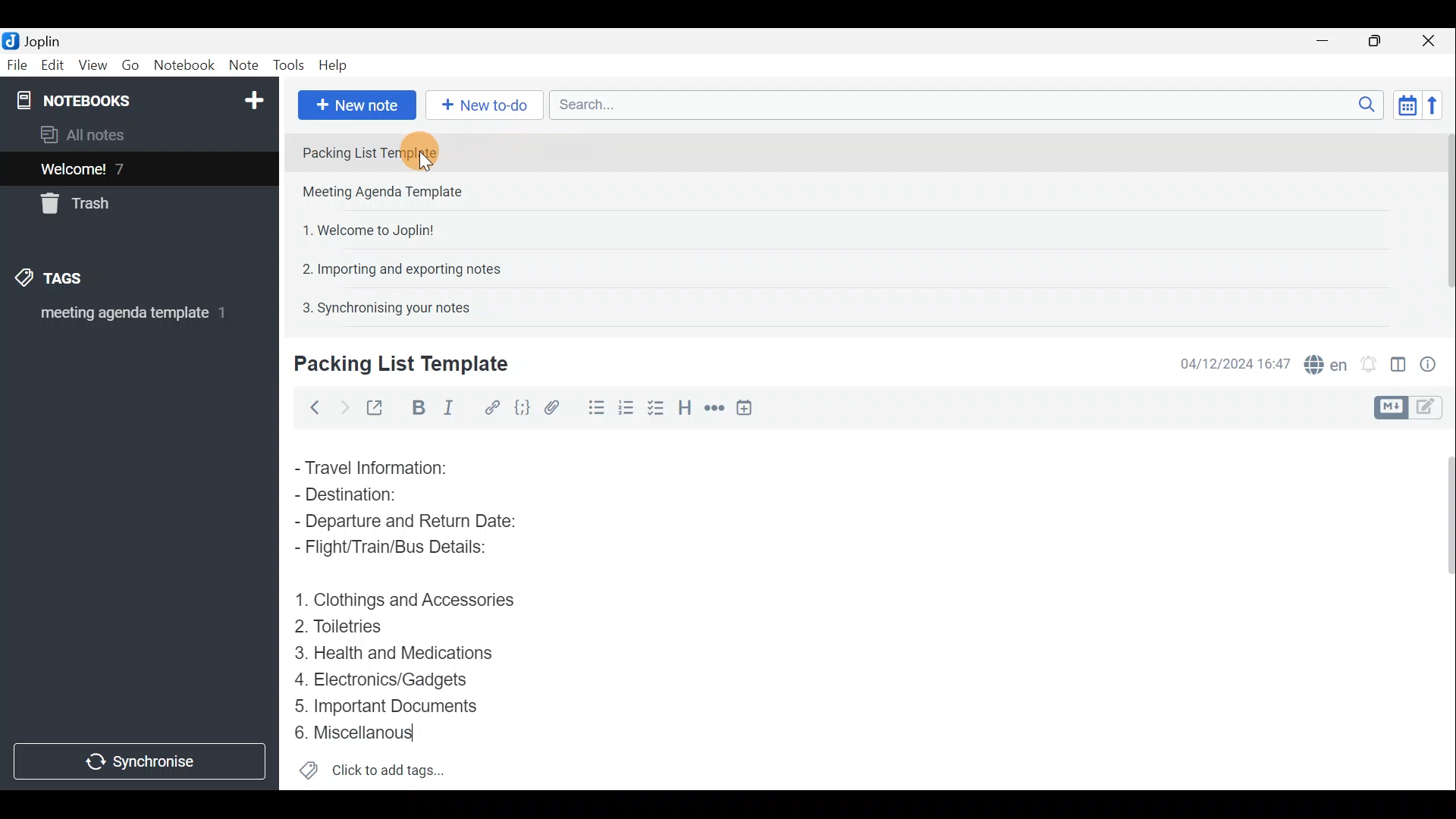  What do you see at coordinates (1438, 104) in the screenshot?
I see `Reverse sort order` at bounding box center [1438, 104].